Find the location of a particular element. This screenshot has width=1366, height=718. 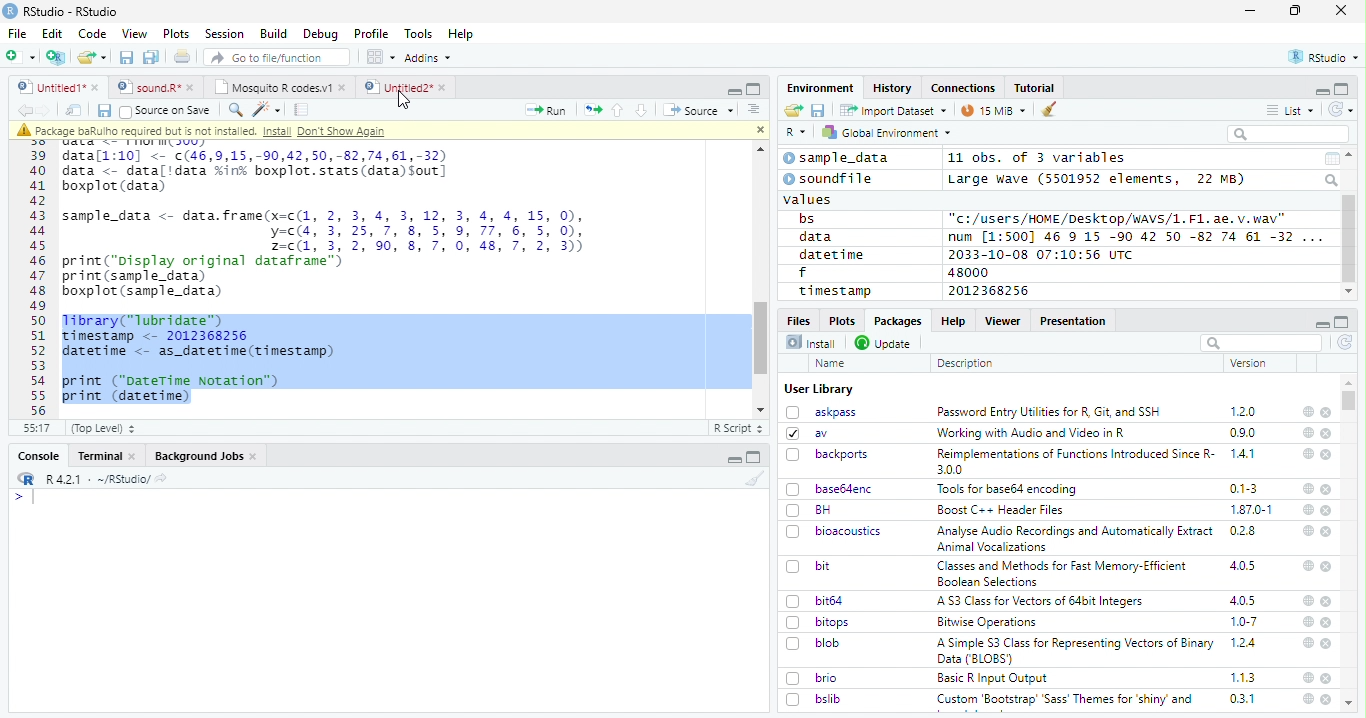

Name is located at coordinates (832, 364).